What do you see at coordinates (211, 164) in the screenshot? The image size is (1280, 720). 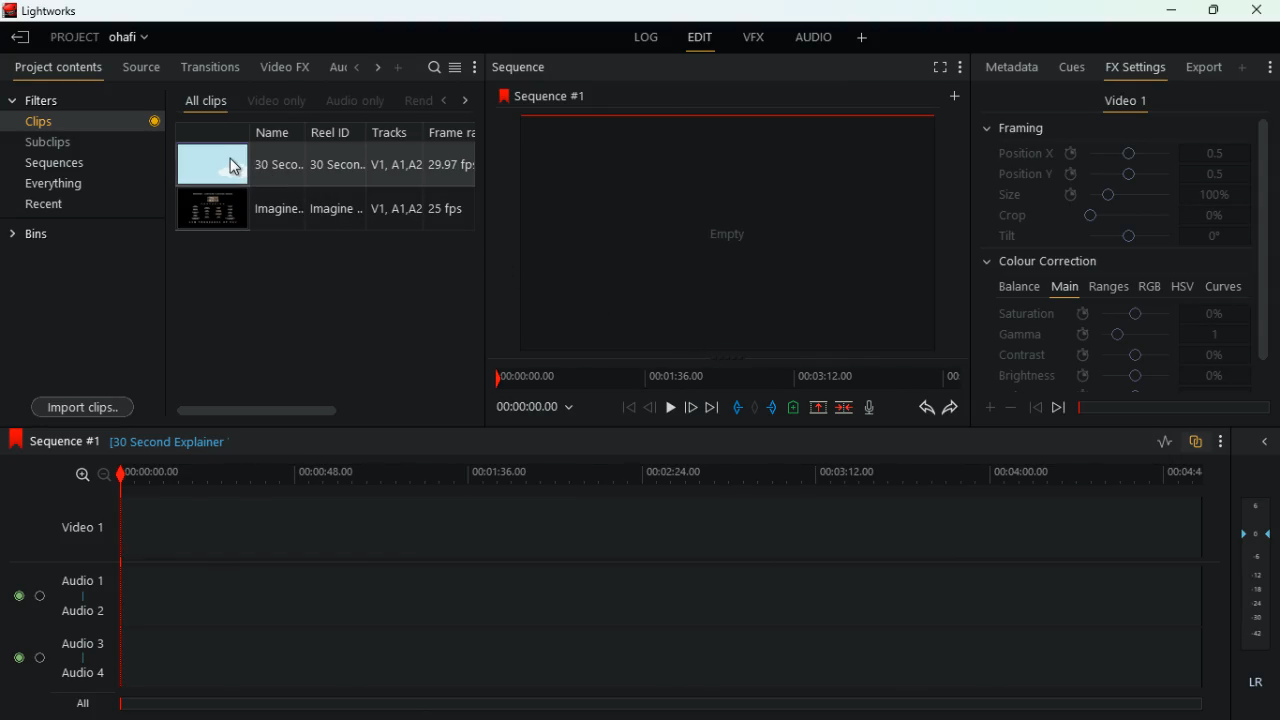 I see `video` at bounding box center [211, 164].